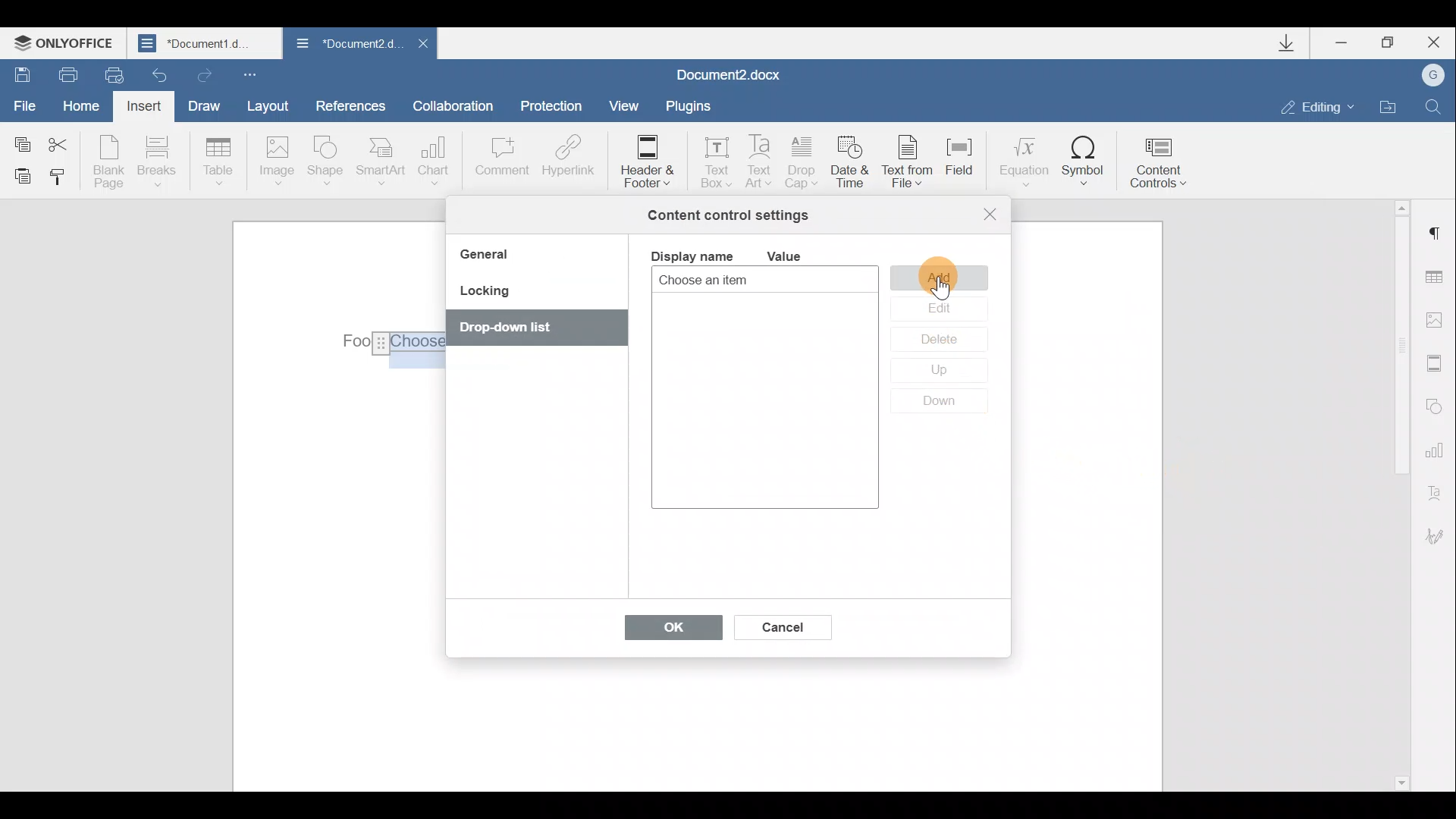 Image resolution: width=1456 pixels, height=819 pixels. What do you see at coordinates (202, 104) in the screenshot?
I see `Draw` at bounding box center [202, 104].